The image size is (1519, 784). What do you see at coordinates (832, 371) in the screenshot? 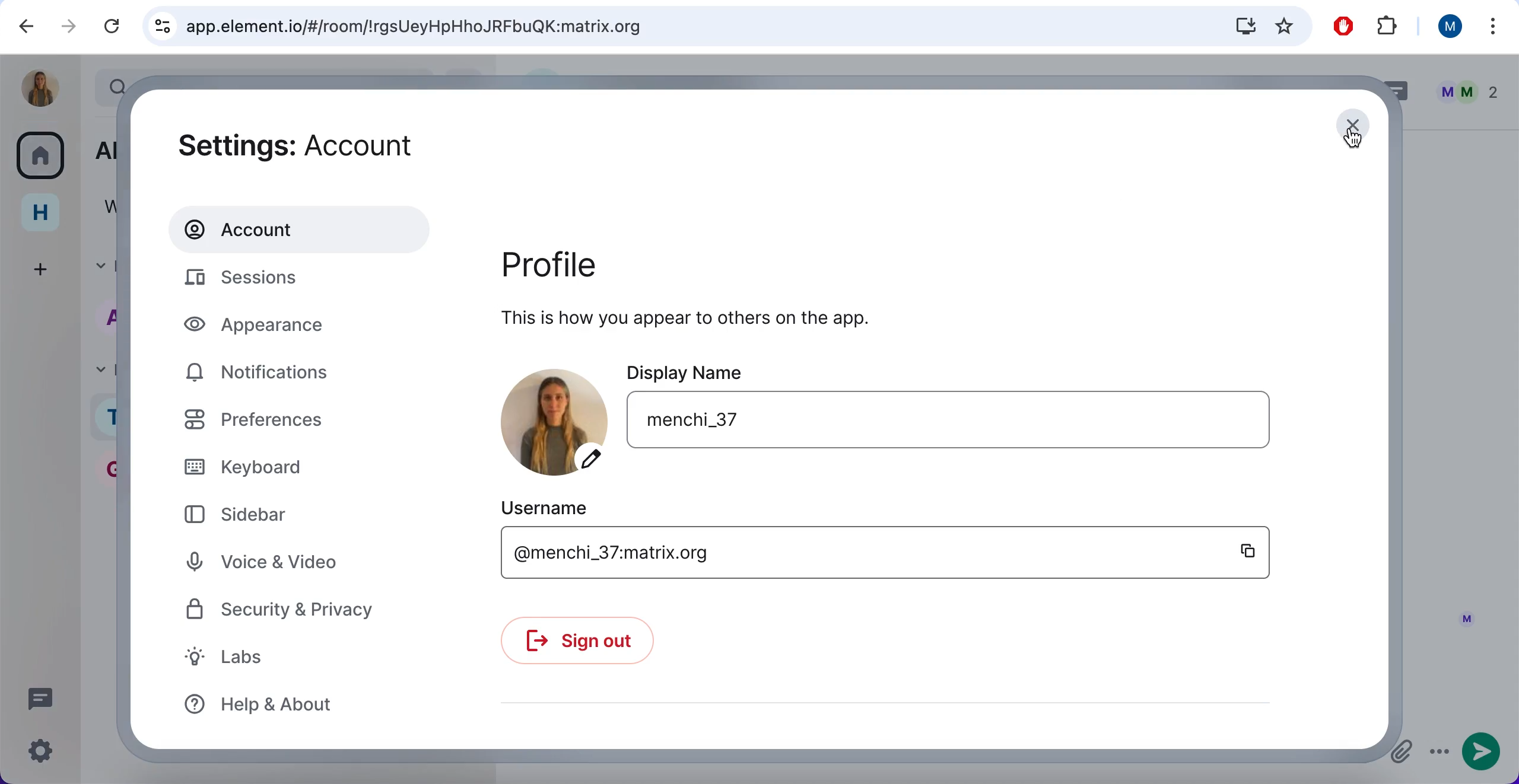
I see `display name` at bounding box center [832, 371].